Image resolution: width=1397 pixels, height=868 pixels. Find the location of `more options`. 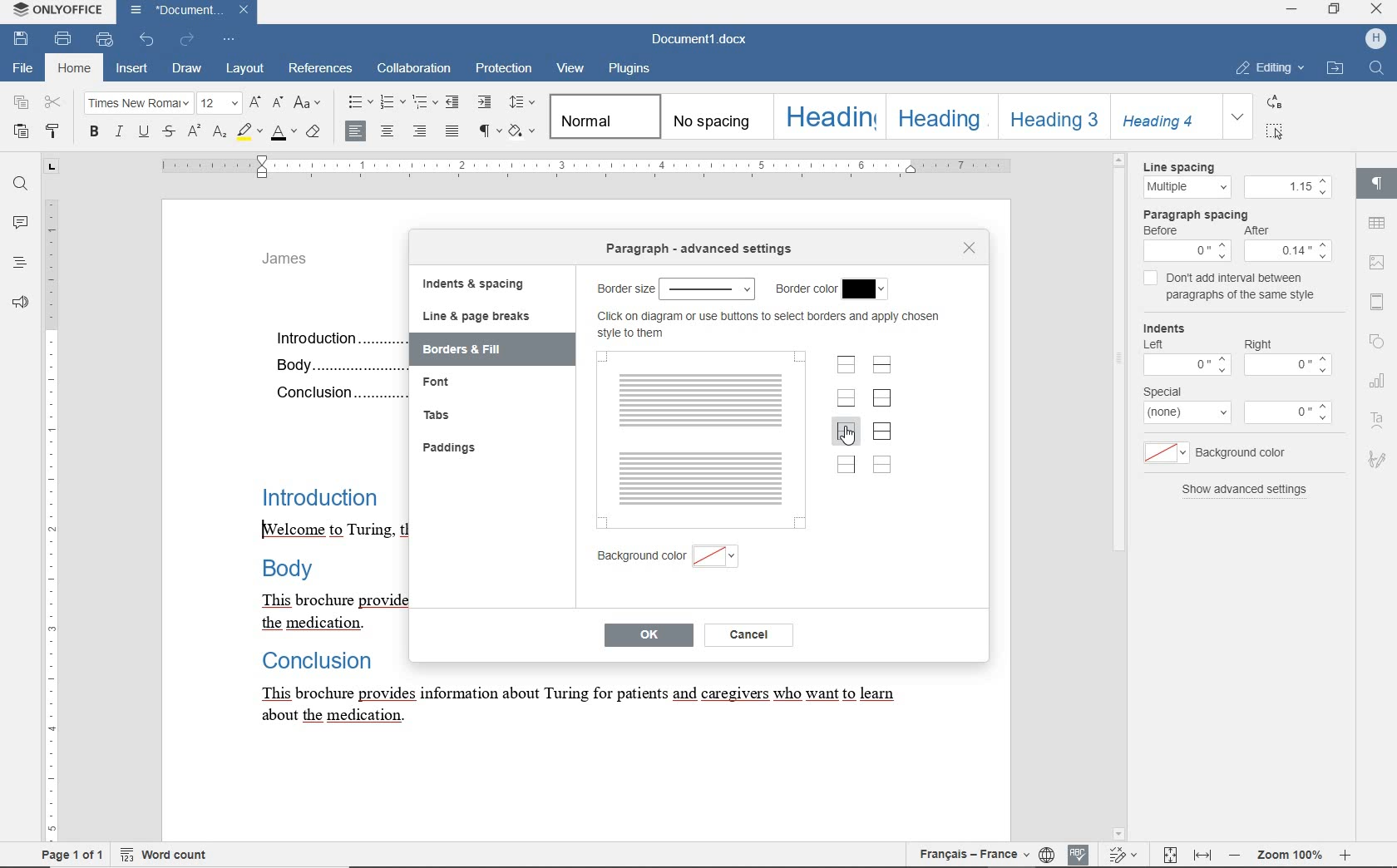

more options is located at coordinates (1163, 453).